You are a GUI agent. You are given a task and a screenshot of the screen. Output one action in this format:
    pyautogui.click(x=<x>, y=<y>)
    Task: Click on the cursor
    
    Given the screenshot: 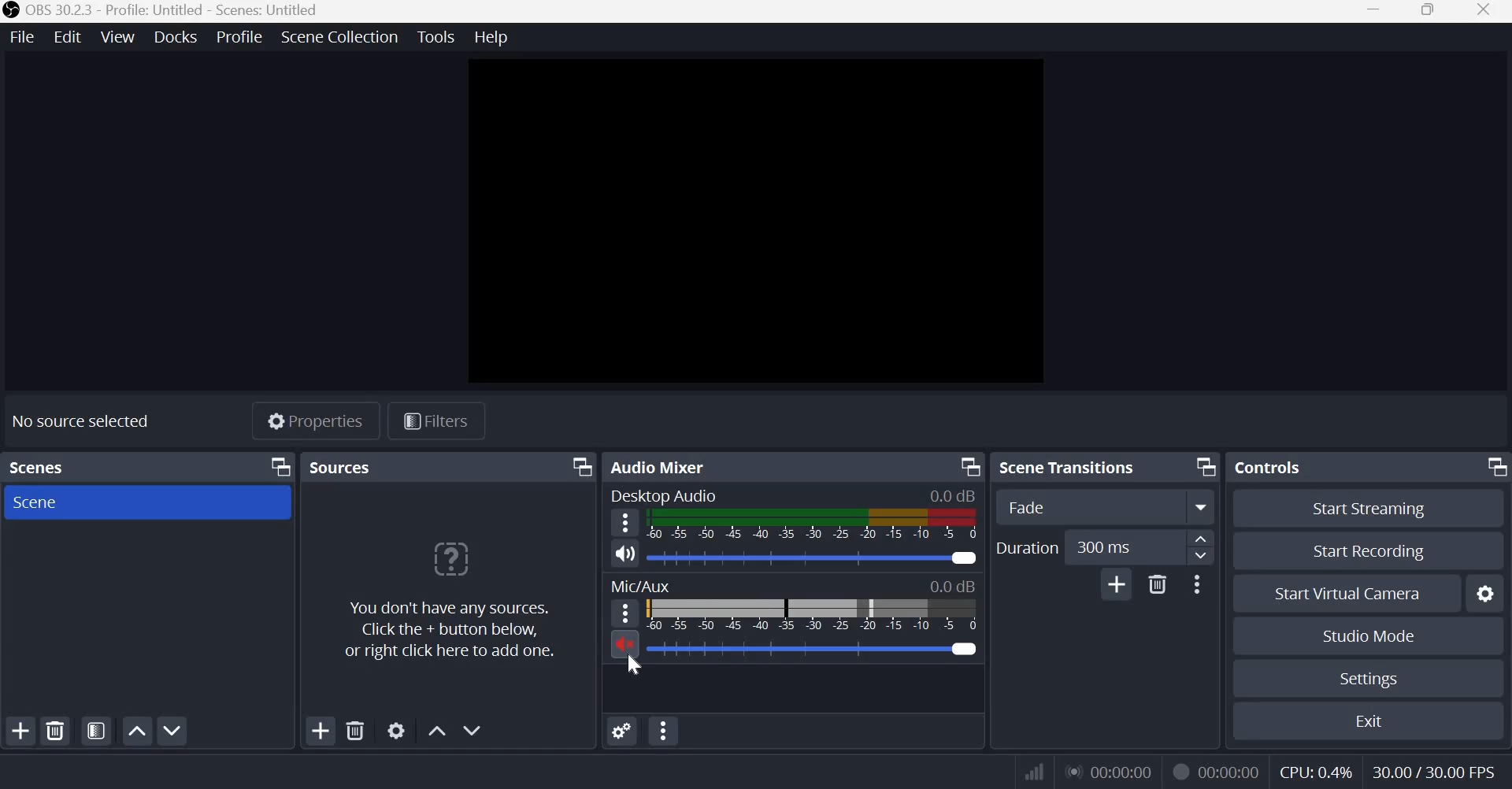 What is the action you would take?
    pyautogui.click(x=631, y=665)
    